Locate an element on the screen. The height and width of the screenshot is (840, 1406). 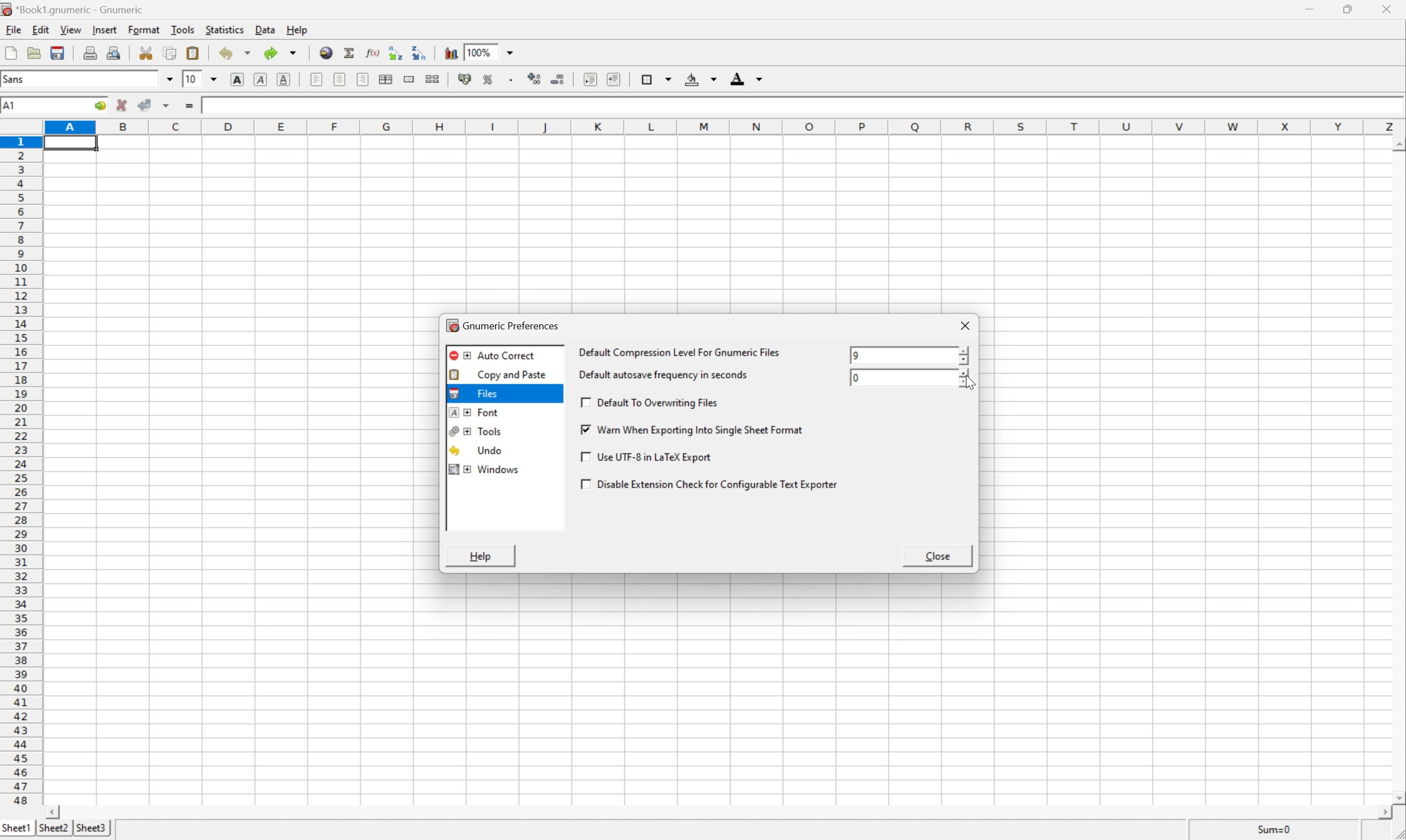
Sort the selected region in descending order based on the first column selected is located at coordinates (419, 52).